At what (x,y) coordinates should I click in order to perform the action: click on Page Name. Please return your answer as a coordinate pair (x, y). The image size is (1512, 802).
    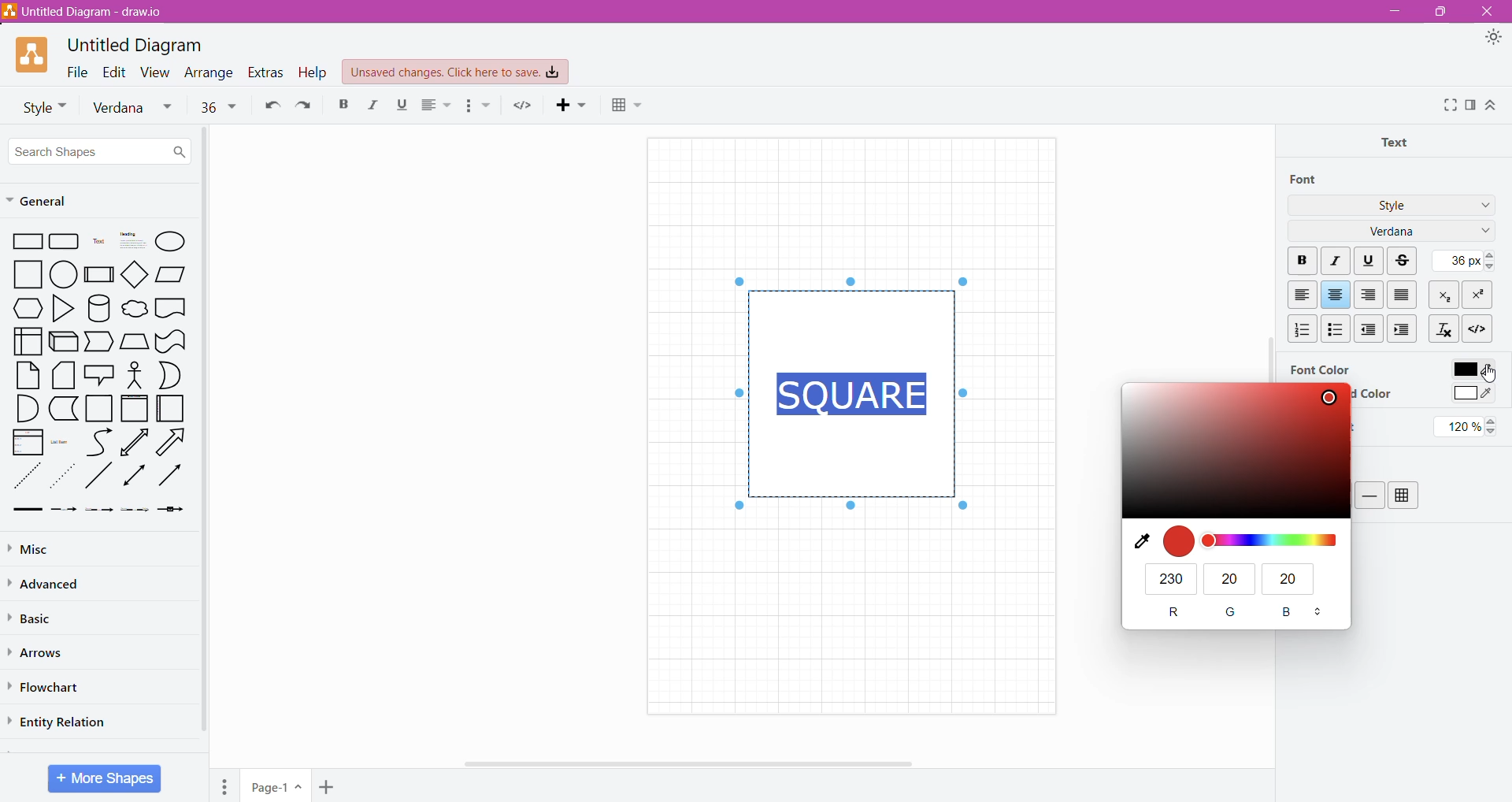
    Looking at the image, I should click on (276, 787).